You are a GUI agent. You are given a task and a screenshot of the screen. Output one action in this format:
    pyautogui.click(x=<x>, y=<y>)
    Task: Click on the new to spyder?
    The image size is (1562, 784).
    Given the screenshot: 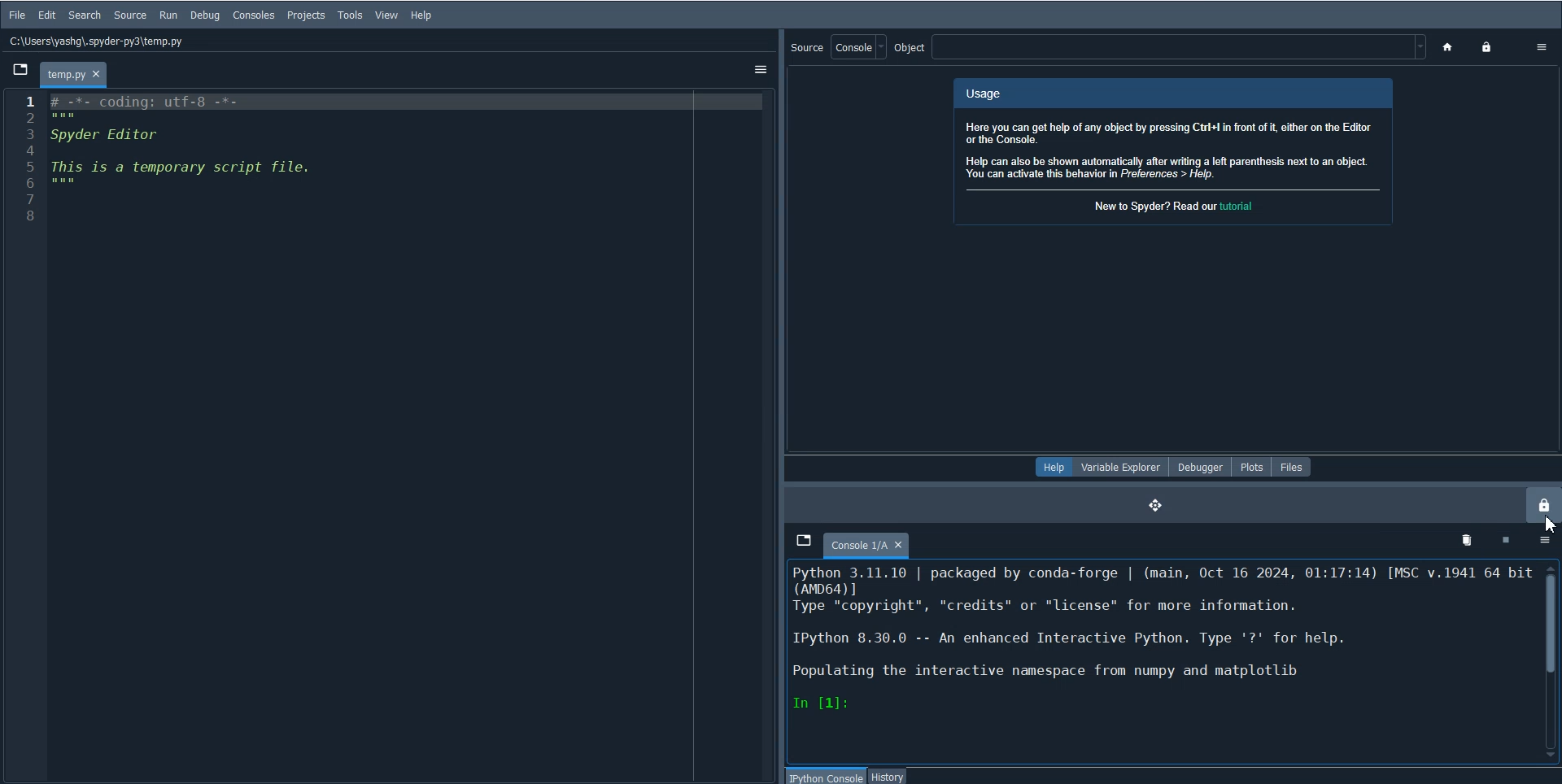 What is the action you would take?
    pyautogui.click(x=1154, y=207)
    